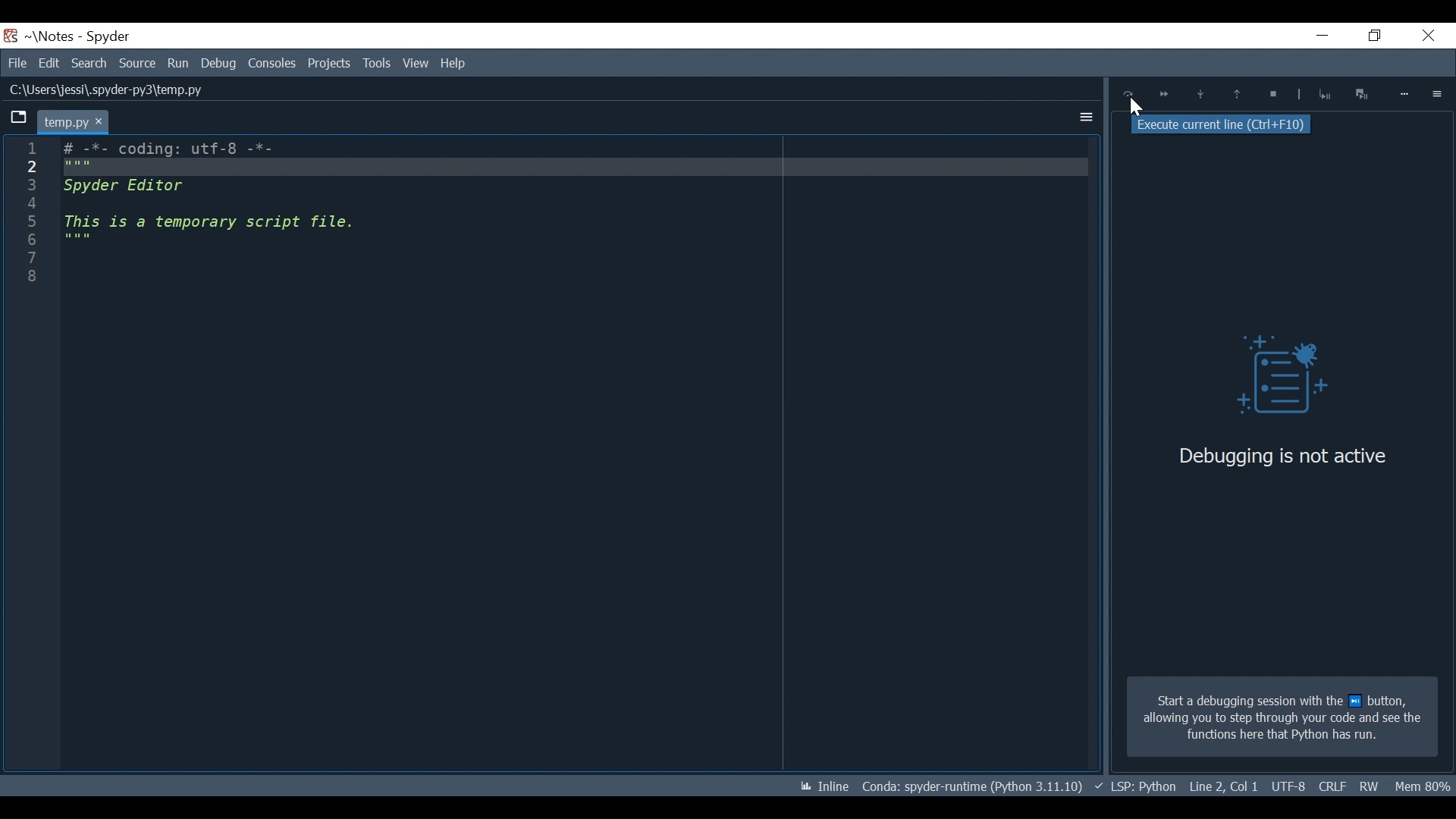 Image resolution: width=1456 pixels, height=819 pixels. I want to click on Help, so click(455, 62).